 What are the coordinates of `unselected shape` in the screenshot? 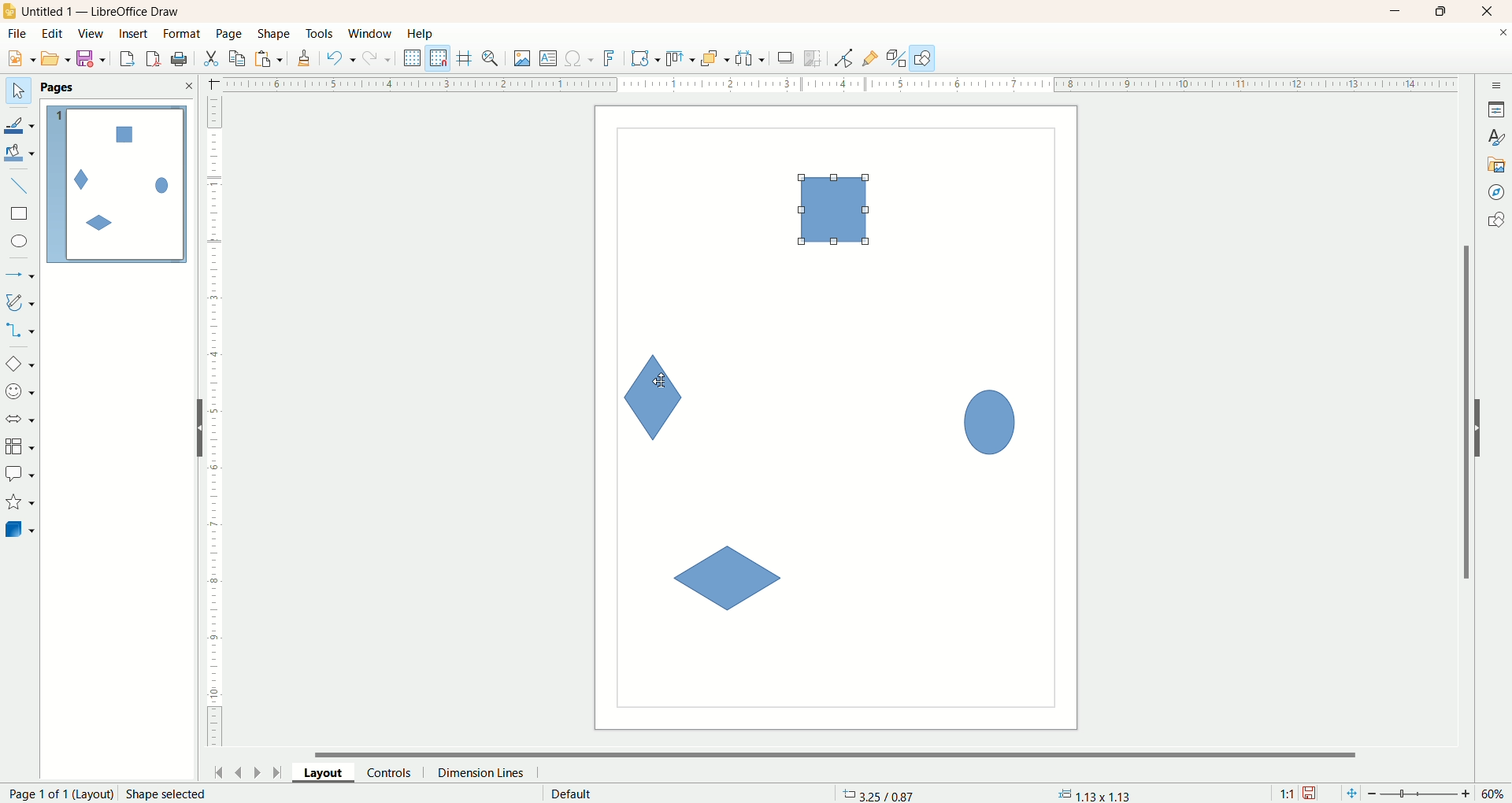 It's located at (726, 579).